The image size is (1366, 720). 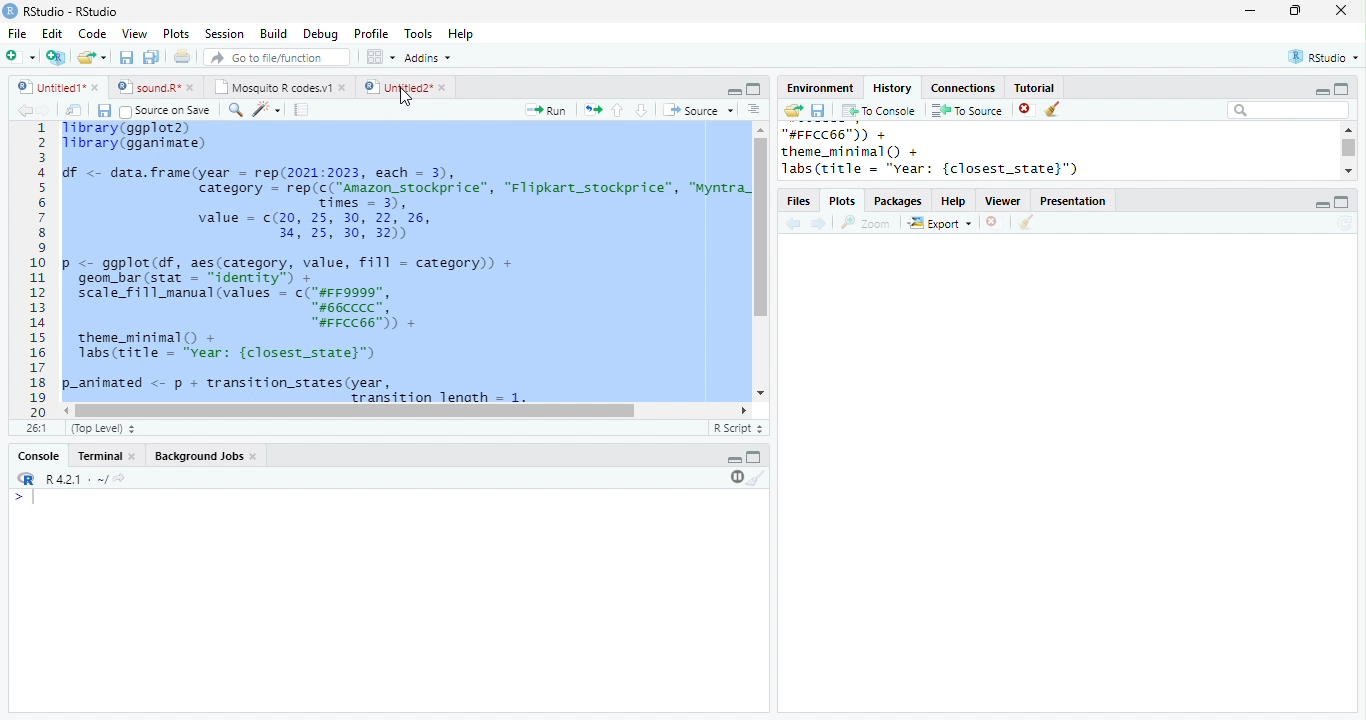 I want to click on "#FFCC66™)) +
theme_minimal () +
Jabs(title = "vear: {closest_state}"), so click(x=948, y=152).